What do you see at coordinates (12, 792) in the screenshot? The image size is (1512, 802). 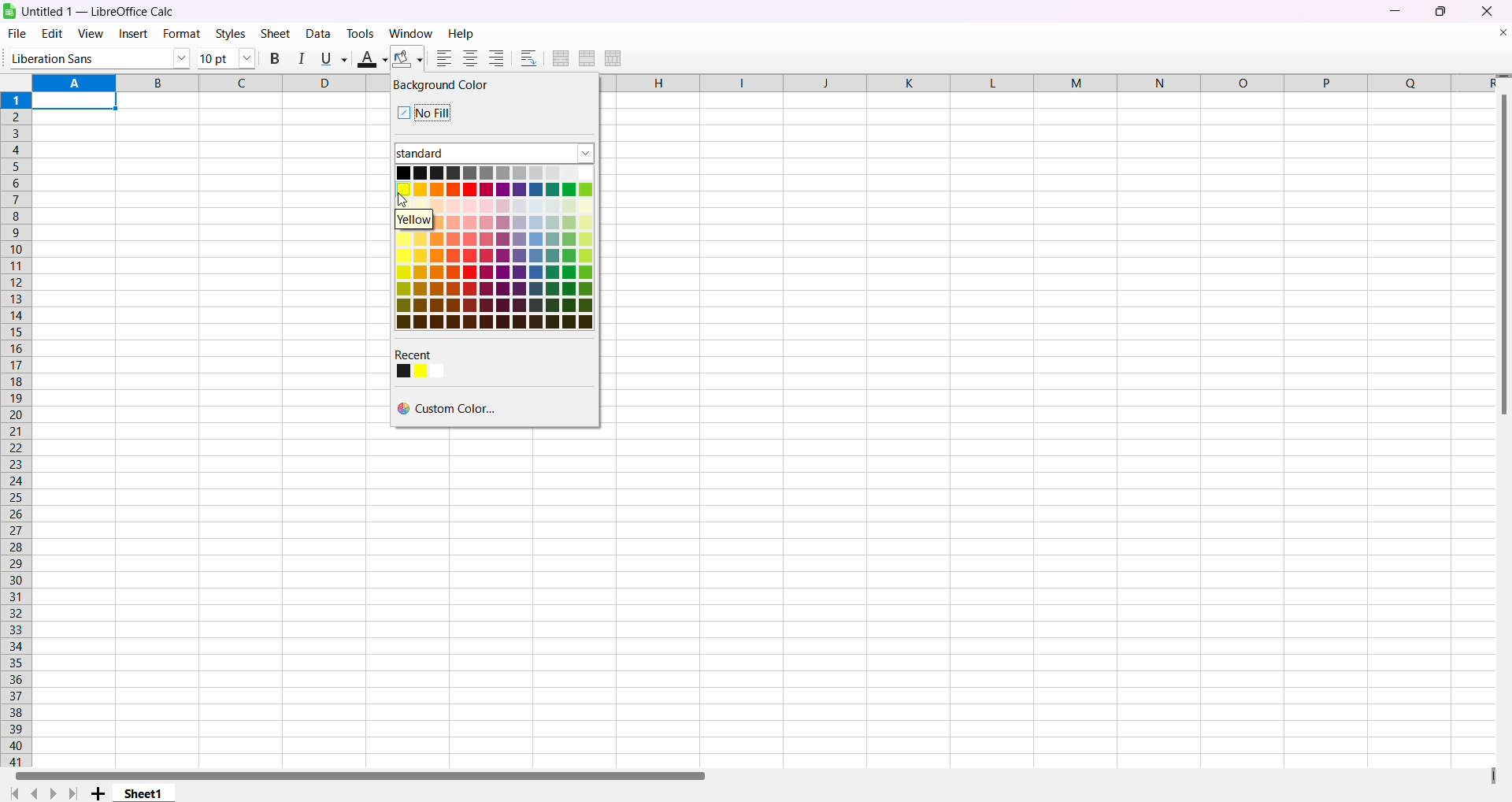 I see `first` at bounding box center [12, 792].